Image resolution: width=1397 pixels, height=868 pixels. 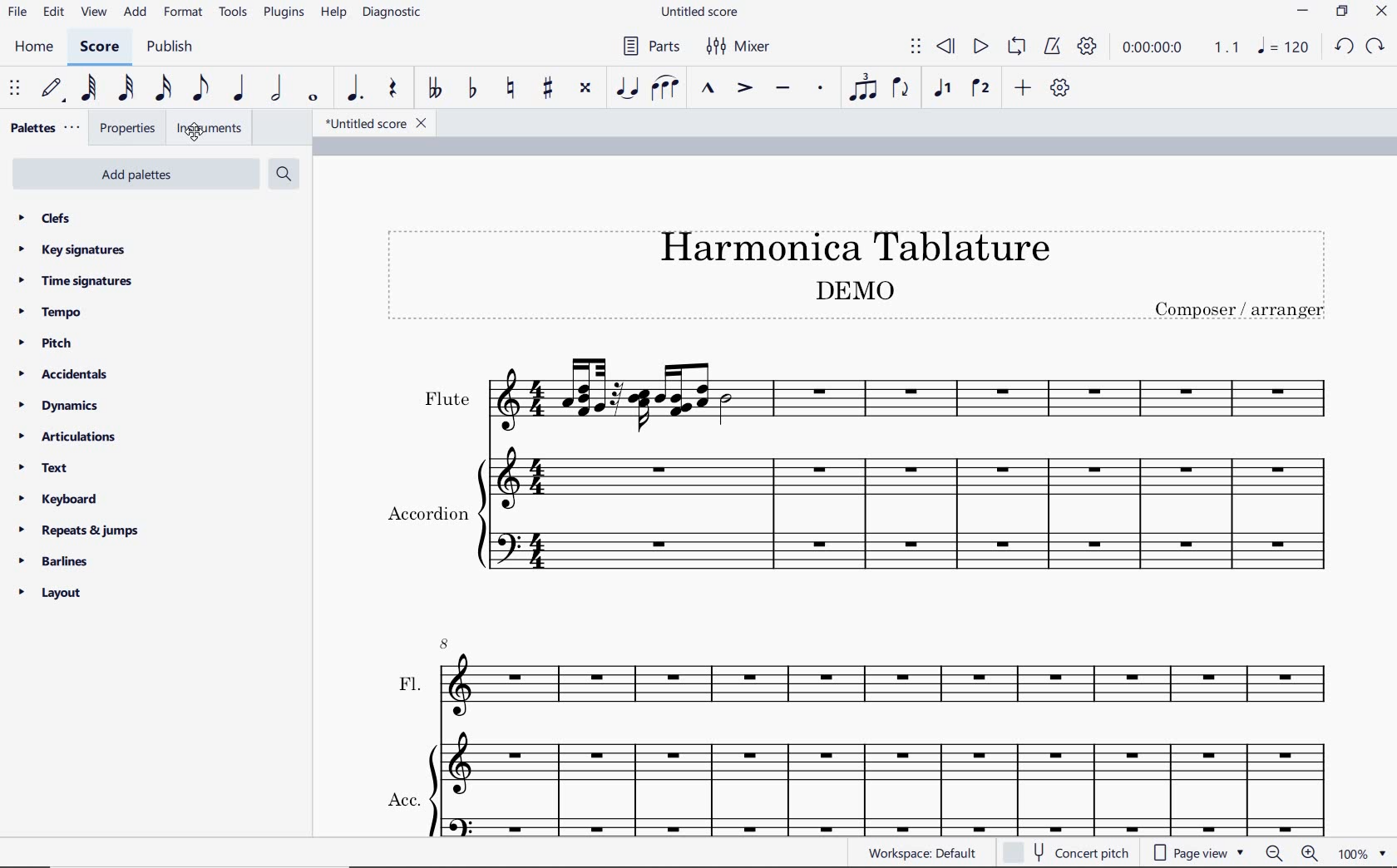 What do you see at coordinates (1051, 47) in the screenshot?
I see `metronome` at bounding box center [1051, 47].